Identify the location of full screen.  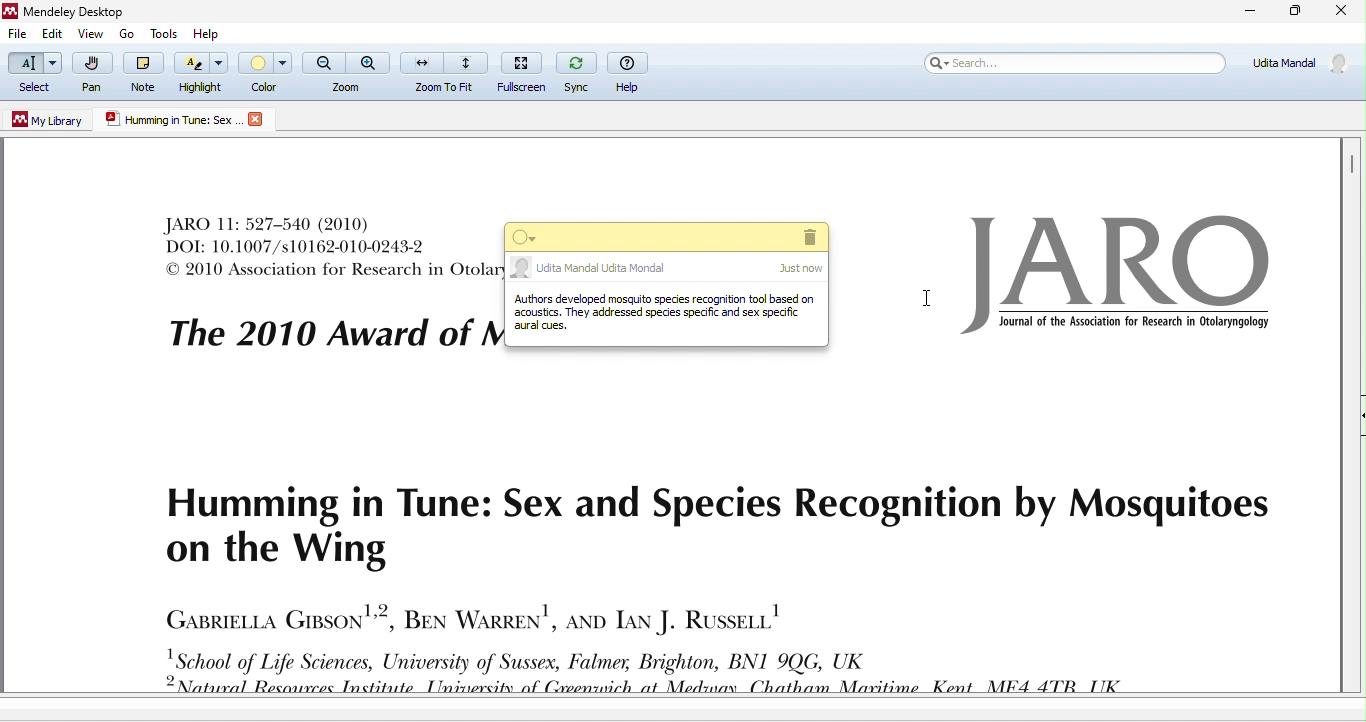
(526, 71).